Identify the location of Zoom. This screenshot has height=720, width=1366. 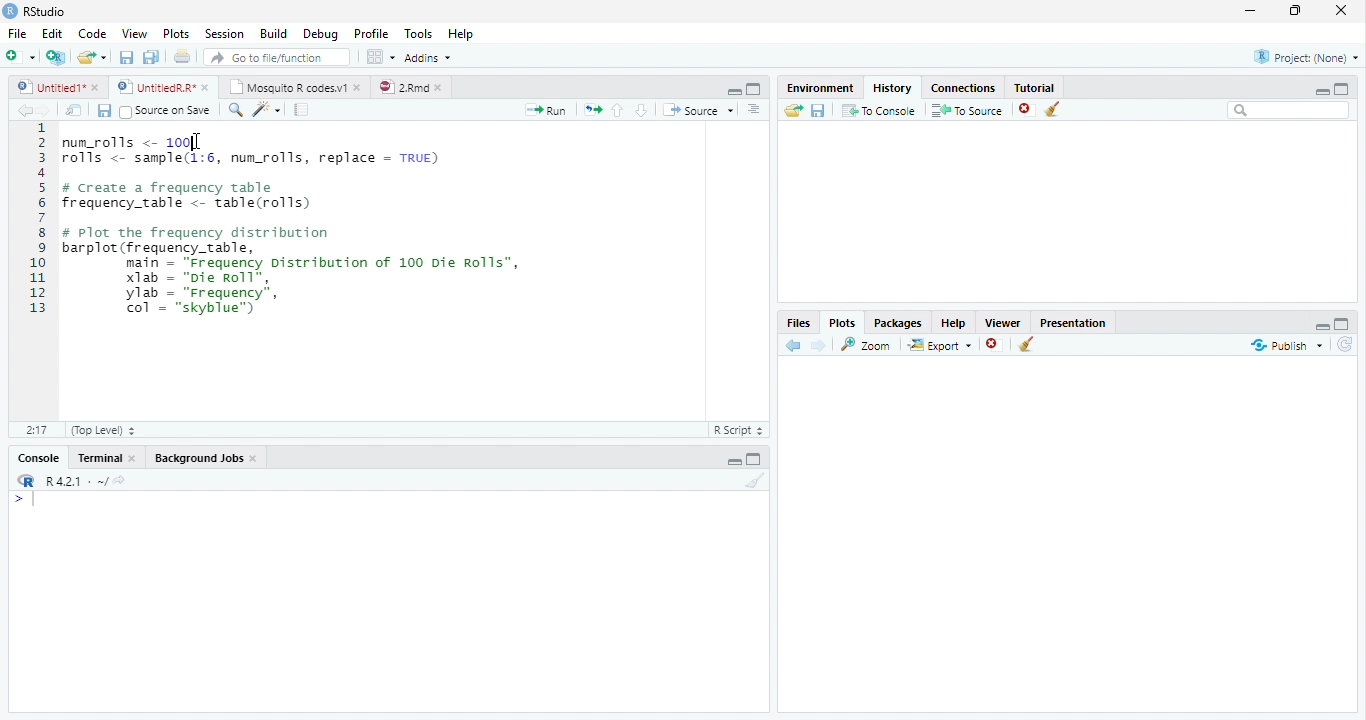
(868, 345).